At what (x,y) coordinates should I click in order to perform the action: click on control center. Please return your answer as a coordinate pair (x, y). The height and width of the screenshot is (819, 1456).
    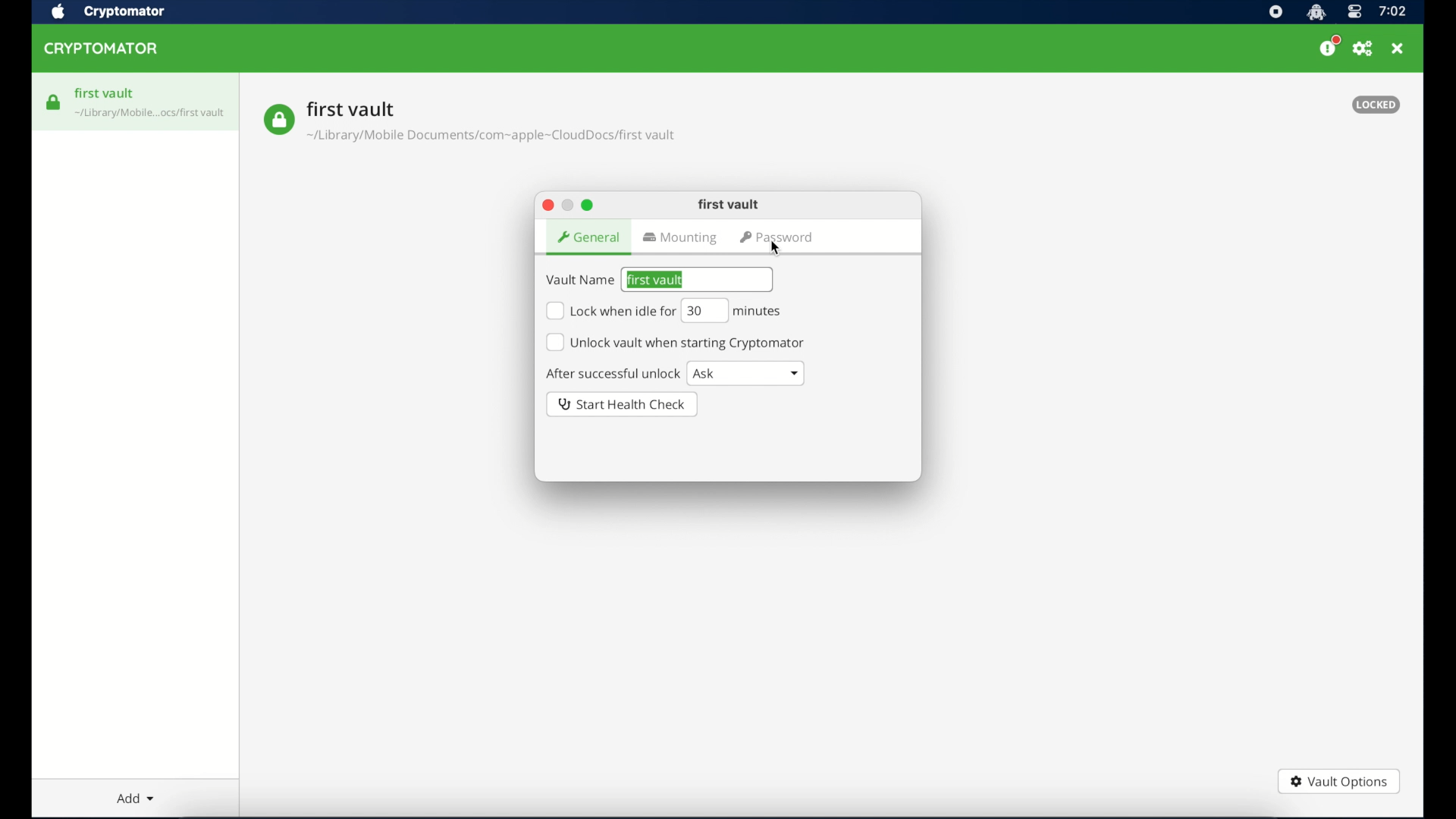
    Looking at the image, I should click on (1354, 13).